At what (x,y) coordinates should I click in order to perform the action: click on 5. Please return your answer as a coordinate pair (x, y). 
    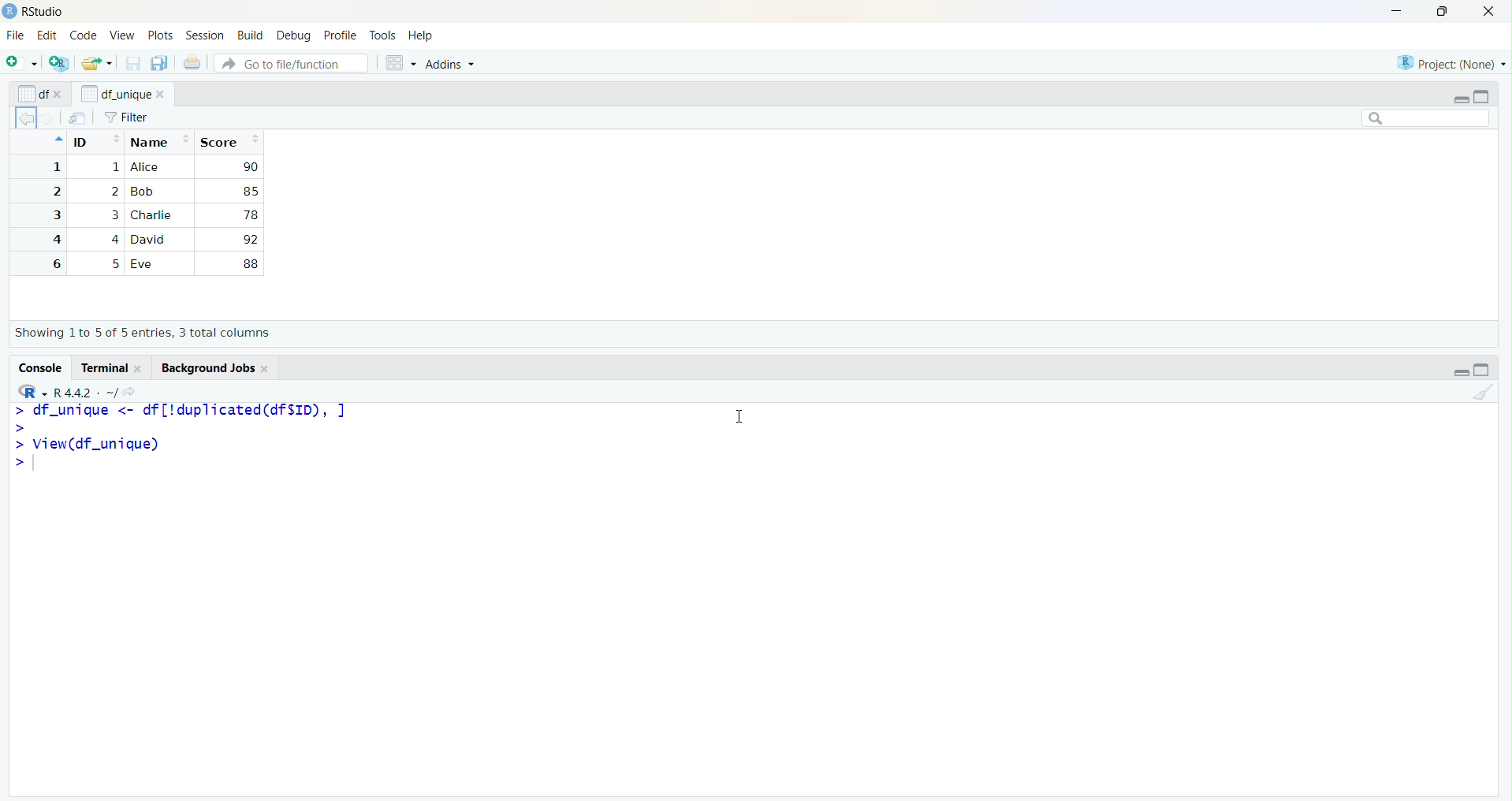
    Looking at the image, I should click on (54, 264).